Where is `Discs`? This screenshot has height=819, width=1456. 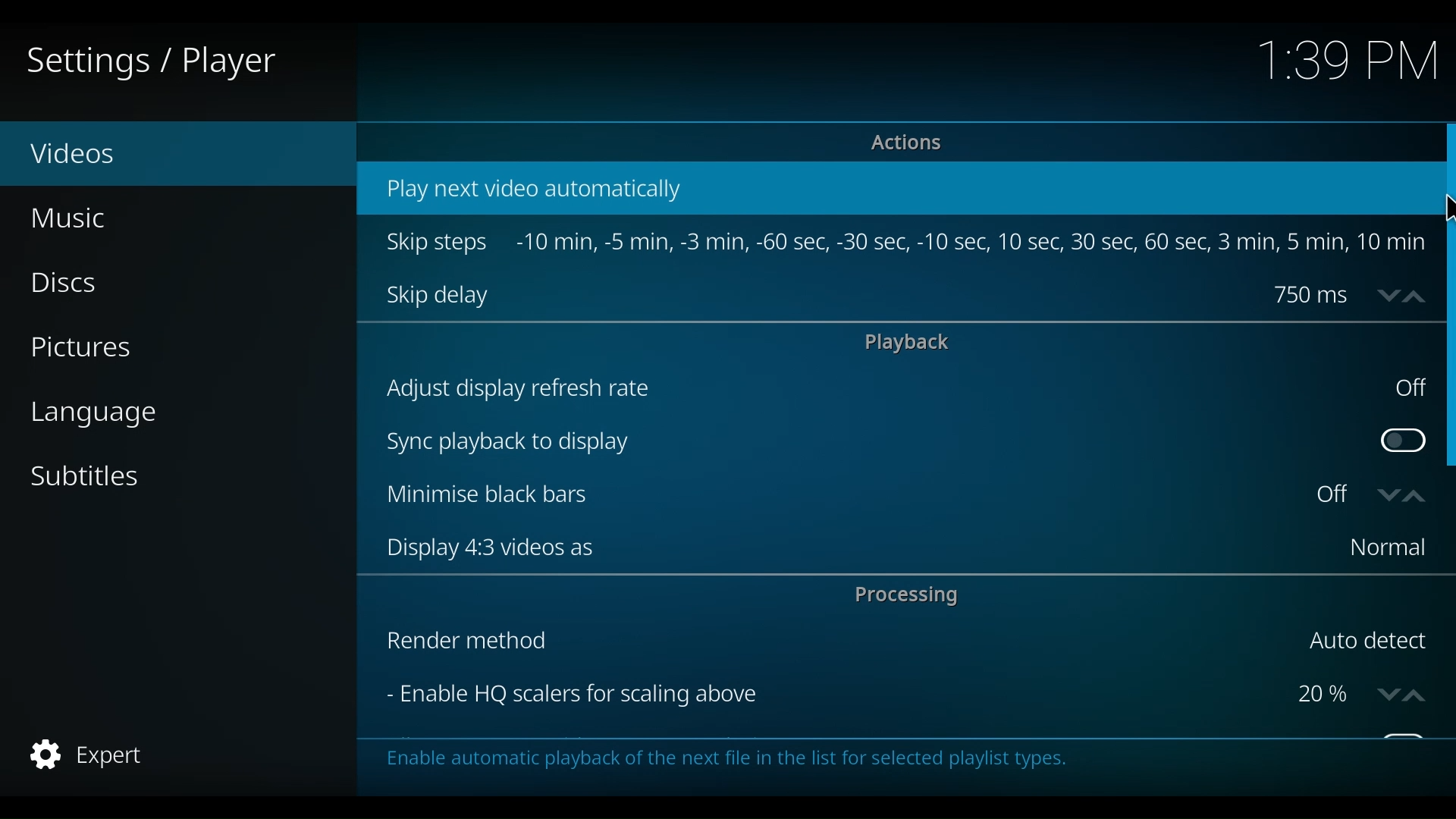
Discs is located at coordinates (74, 284).